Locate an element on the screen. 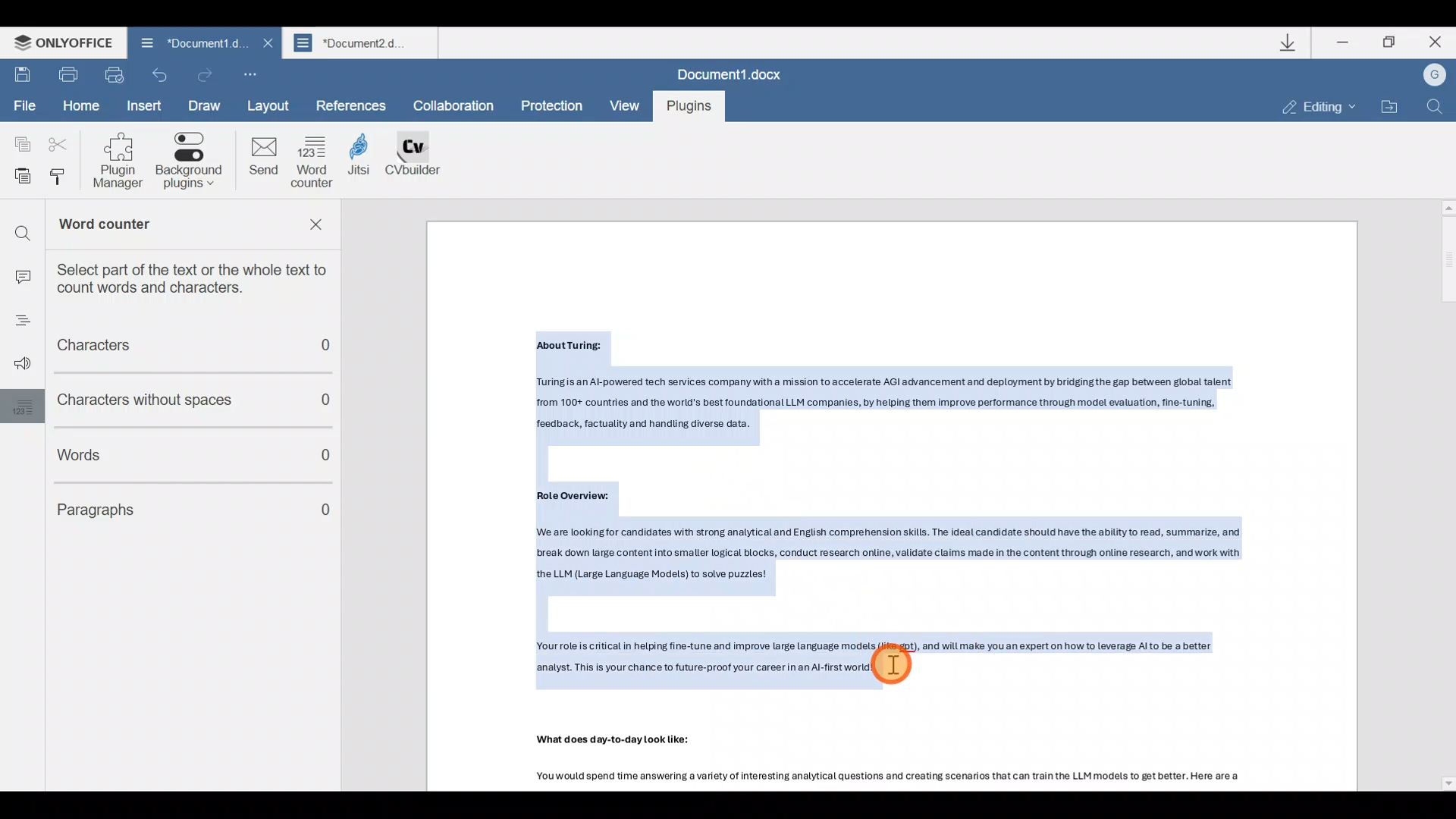 Image resolution: width=1456 pixels, height=819 pixels. Remove is located at coordinates (320, 228).